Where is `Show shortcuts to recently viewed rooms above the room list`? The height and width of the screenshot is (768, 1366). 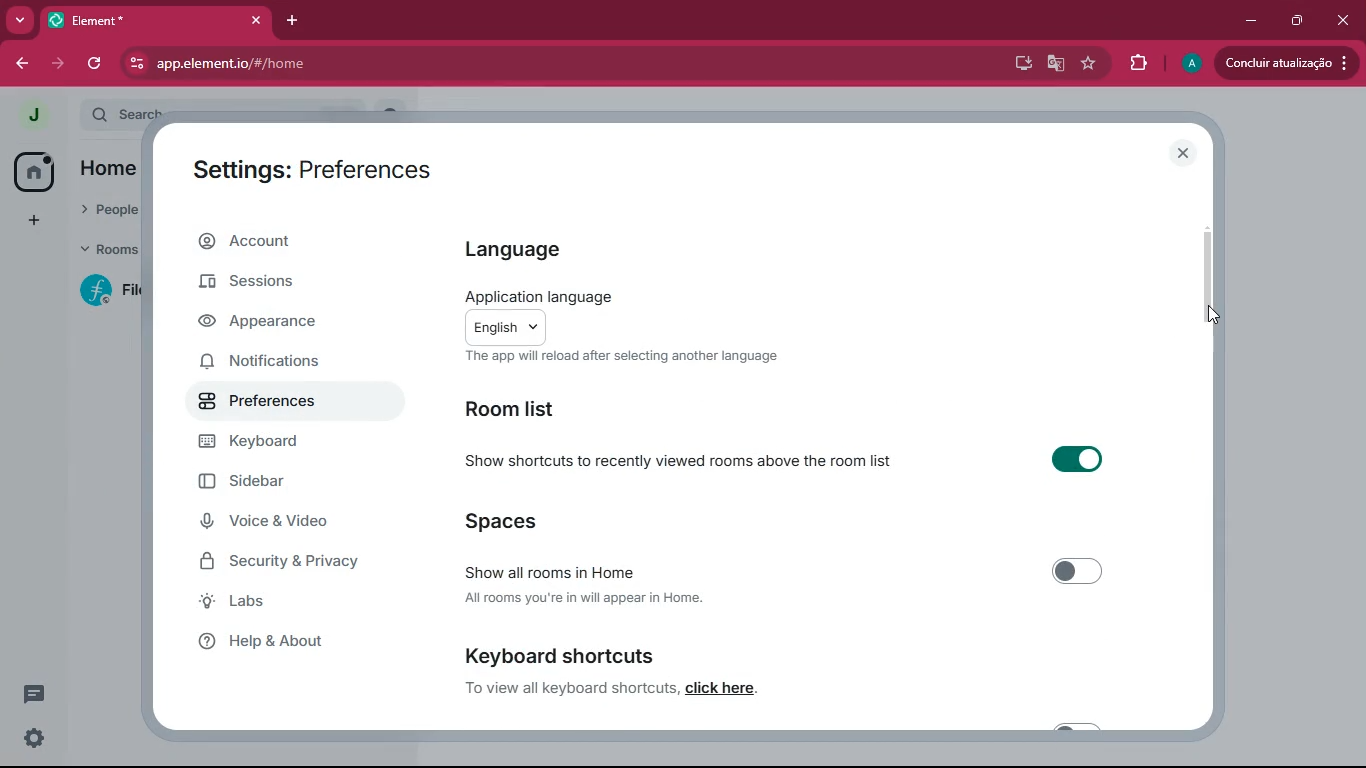
Show shortcuts to recently viewed rooms above the room list is located at coordinates (784, 465).